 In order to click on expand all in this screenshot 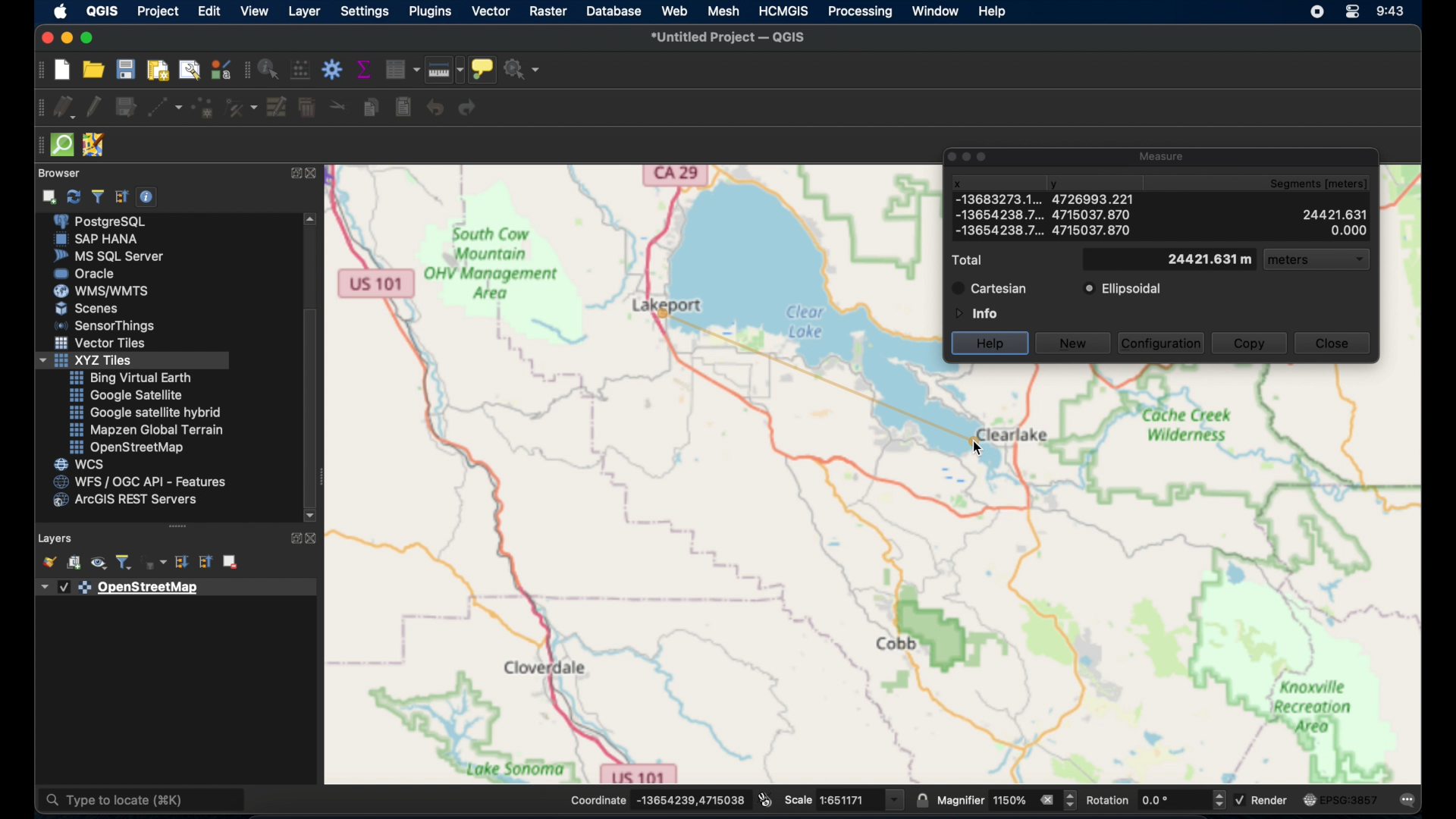, I will do `click(184, 563)`.